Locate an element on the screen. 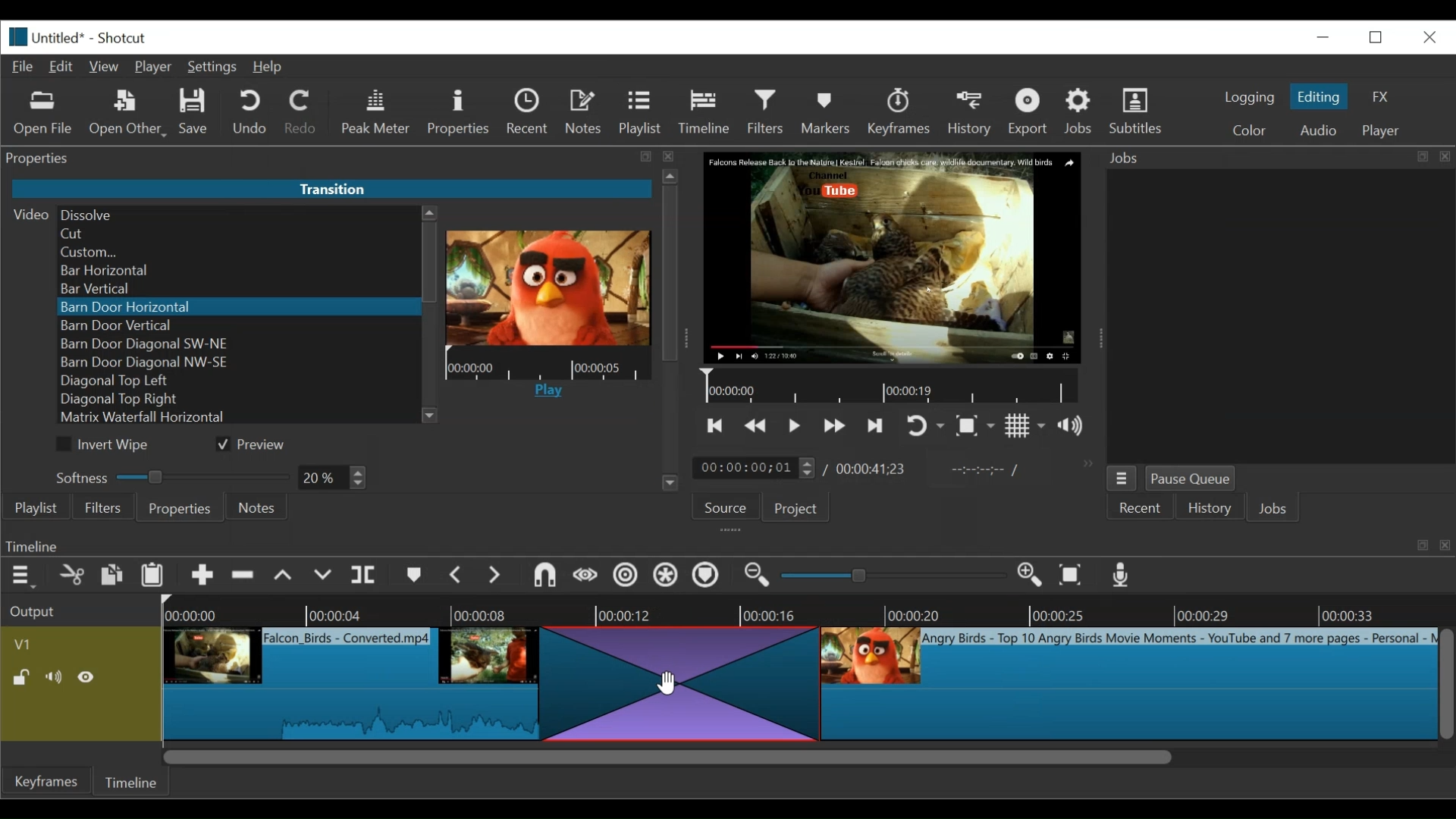  Jobs is located at coordinates (1278, 509).